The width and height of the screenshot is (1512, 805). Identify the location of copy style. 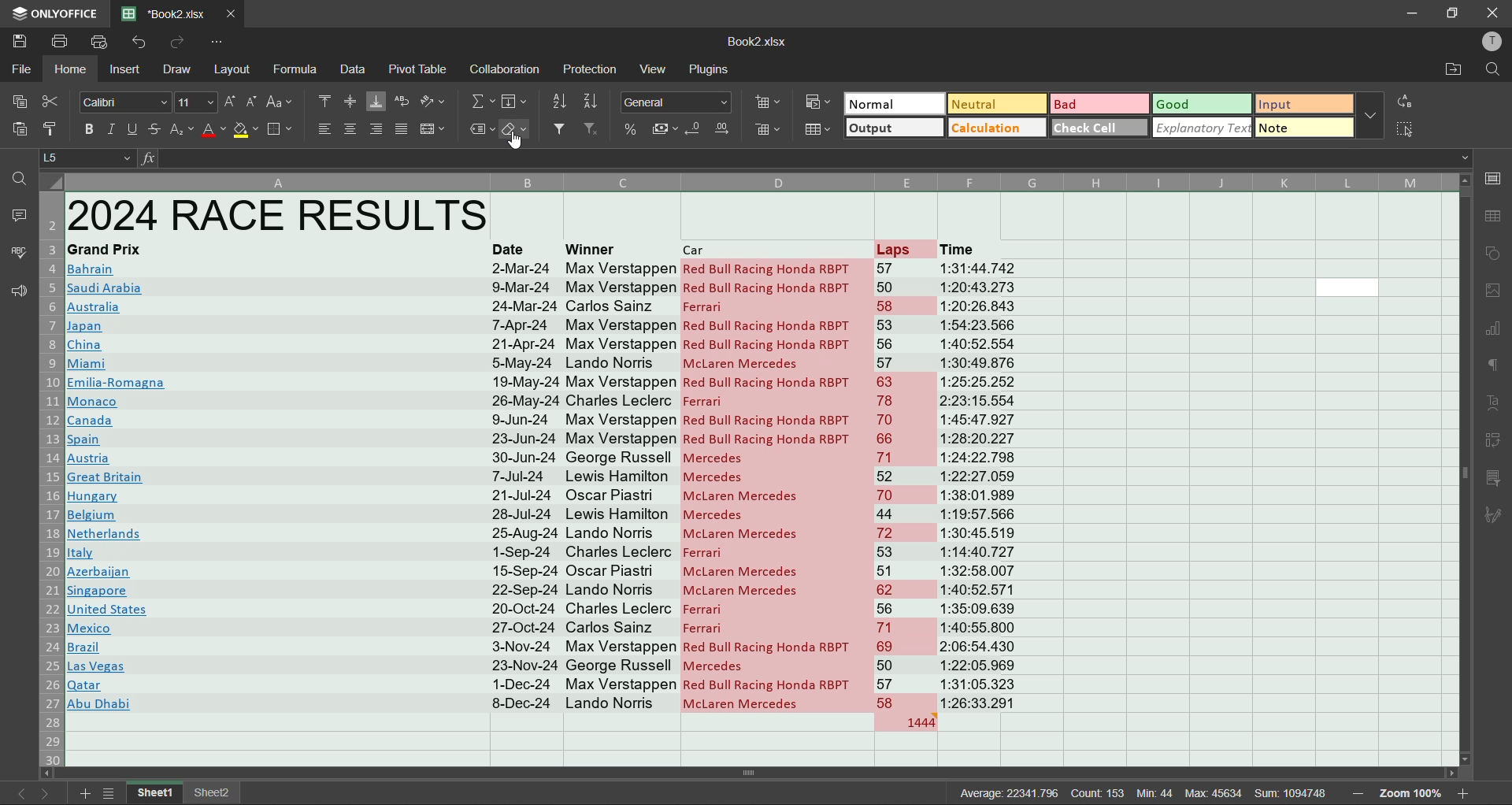
(52, 124).